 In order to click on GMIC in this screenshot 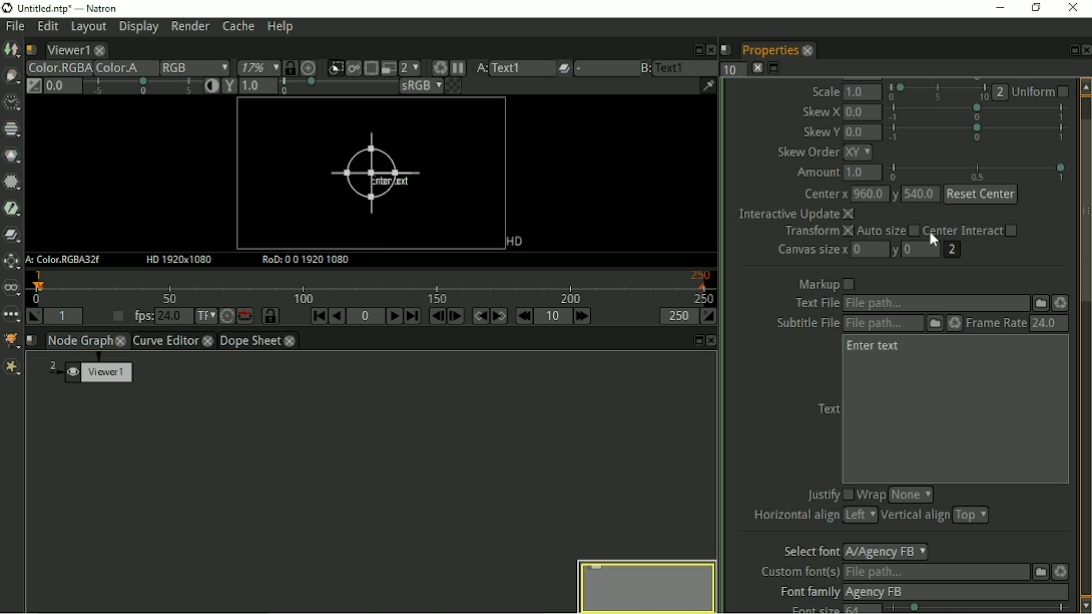, I will do `click(12, 340)`.